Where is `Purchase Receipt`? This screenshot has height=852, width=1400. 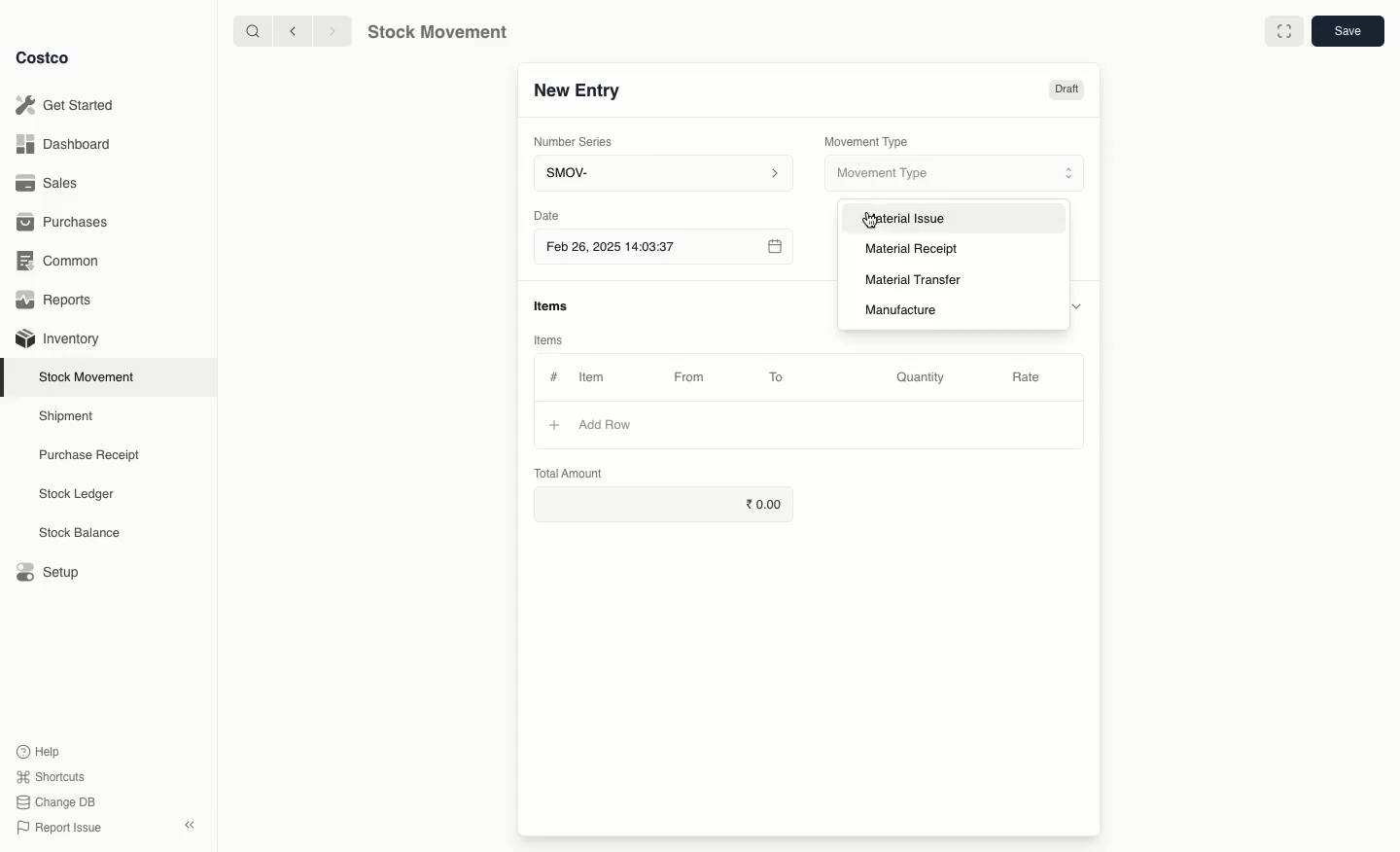
Purchase Receipt is located at coordinates (94, 454).